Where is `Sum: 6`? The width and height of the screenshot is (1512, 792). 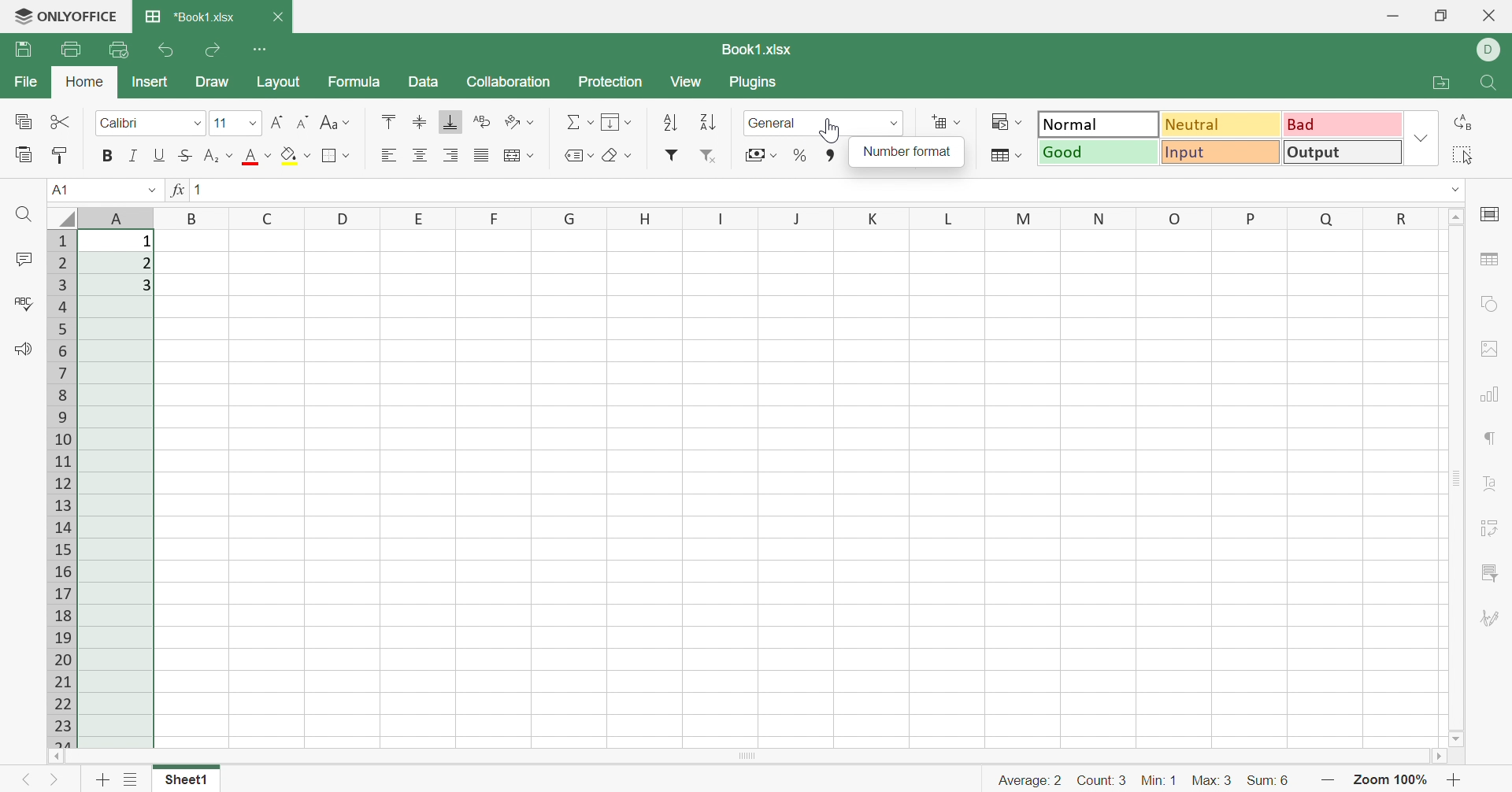 Sum: 6 is located at coordinates (1270, 783).